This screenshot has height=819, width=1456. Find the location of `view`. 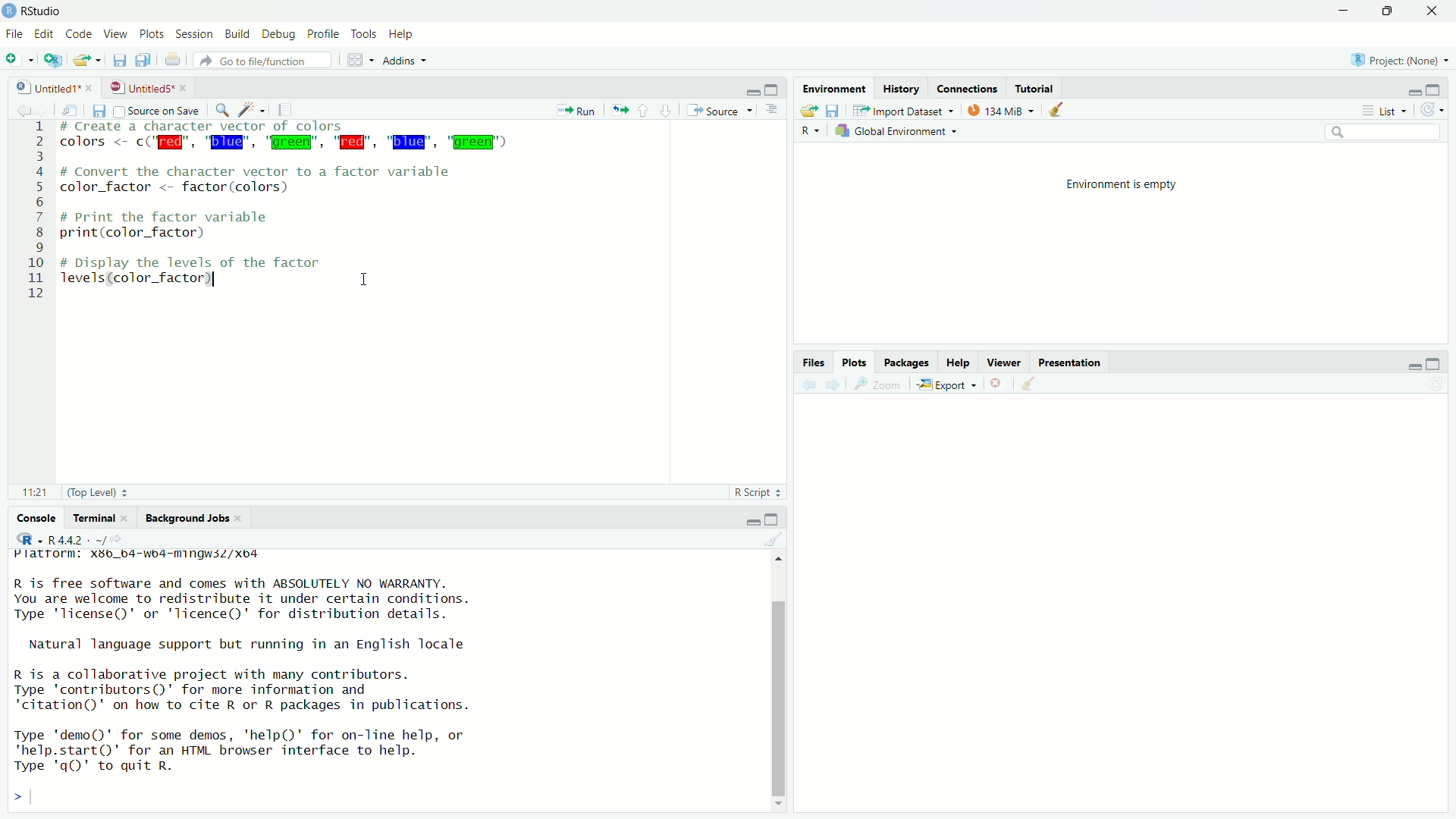

view is located at coordinates (115, 35).